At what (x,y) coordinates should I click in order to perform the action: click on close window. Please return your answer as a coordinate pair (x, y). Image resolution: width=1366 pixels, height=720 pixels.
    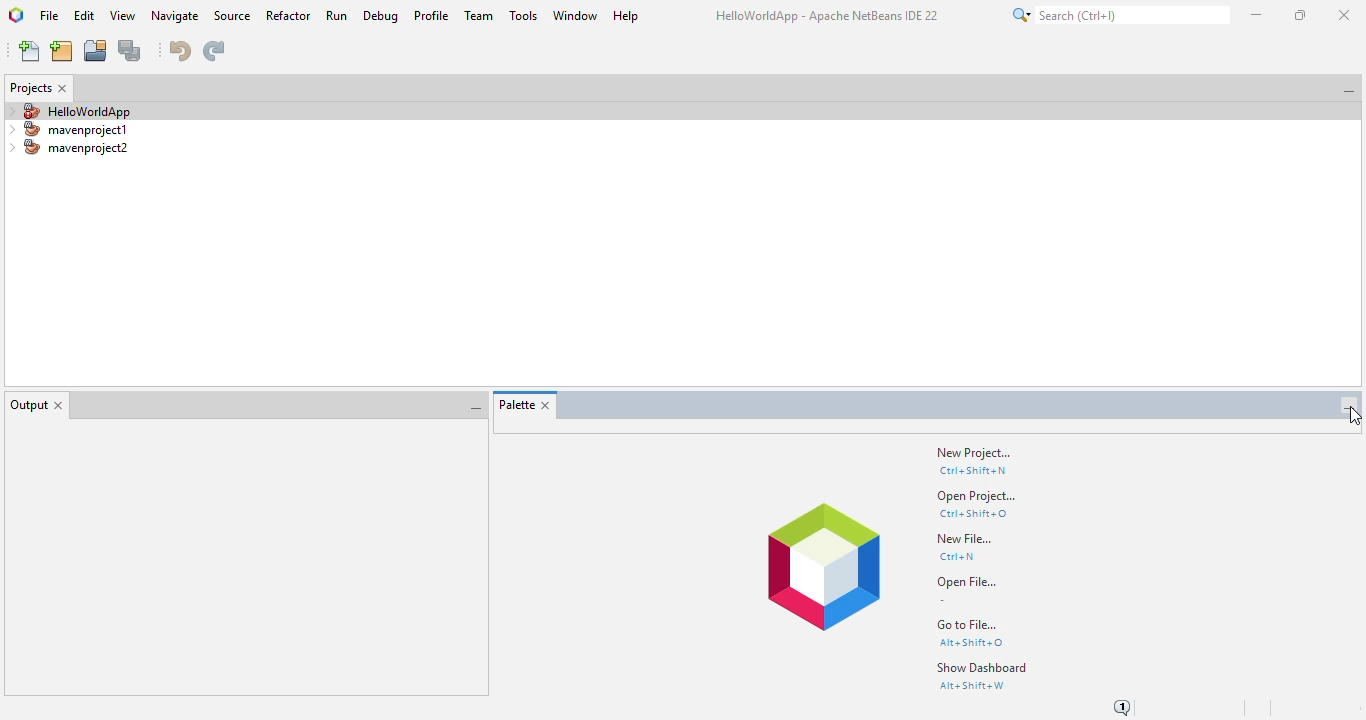
    Looking at the image, I should click on (63, 88).